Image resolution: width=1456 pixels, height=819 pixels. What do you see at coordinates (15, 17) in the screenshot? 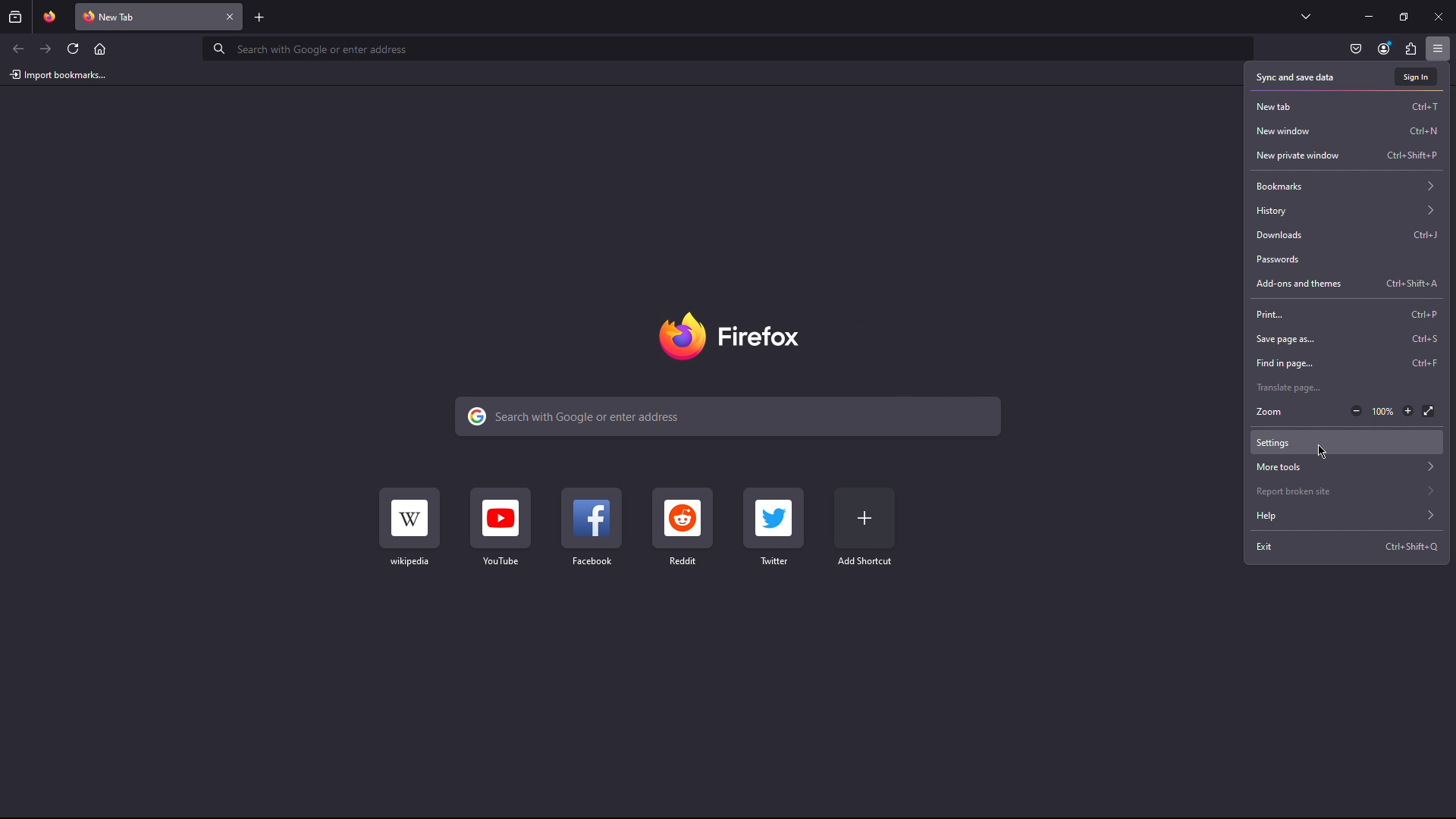
I see `Past browsing` at bounding box center [15, 17].